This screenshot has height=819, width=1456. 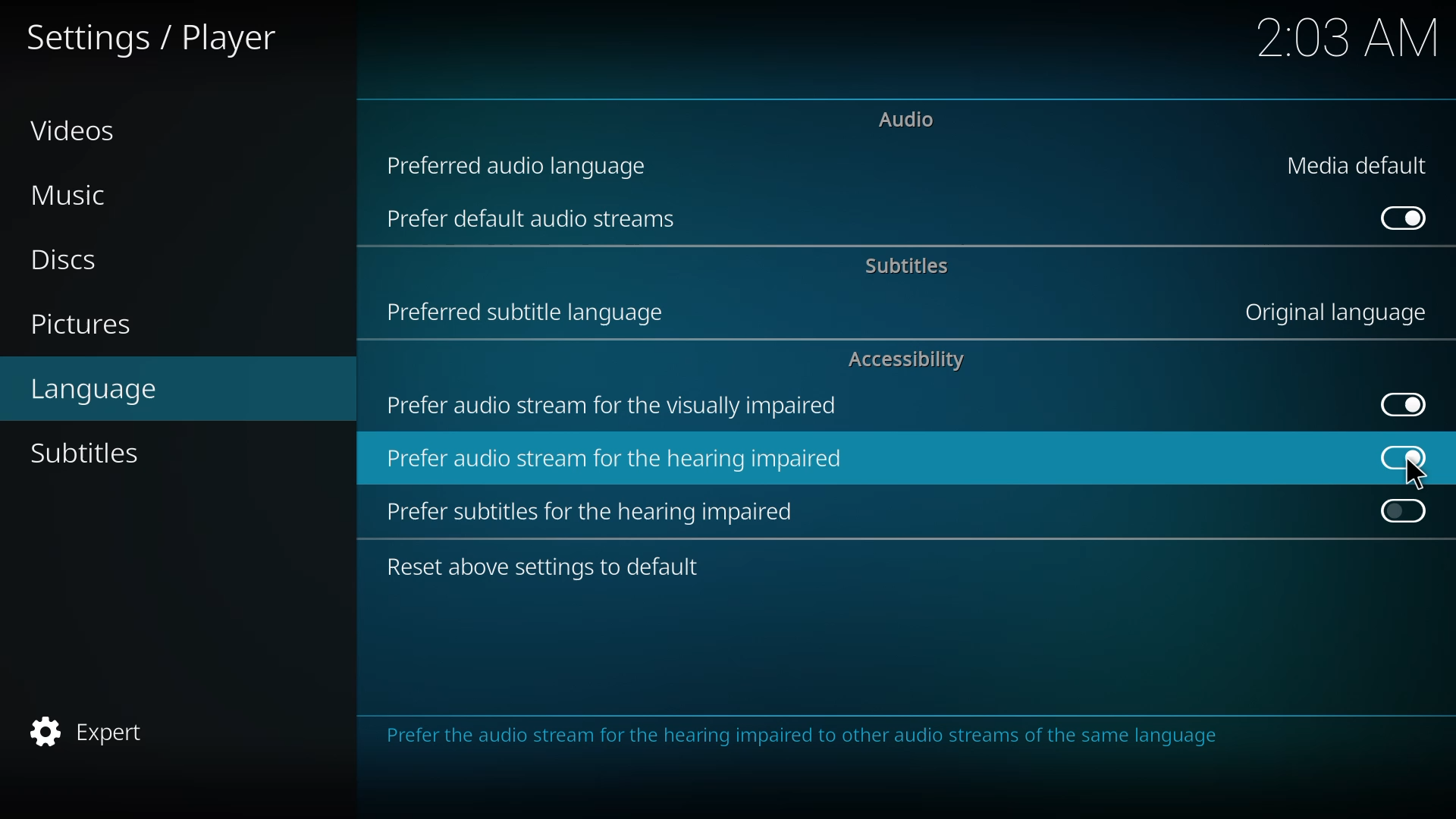 What do you see at coordinates (912, 361) in the screenshot?
I see `accessibility` at bounding box center [912, 361].